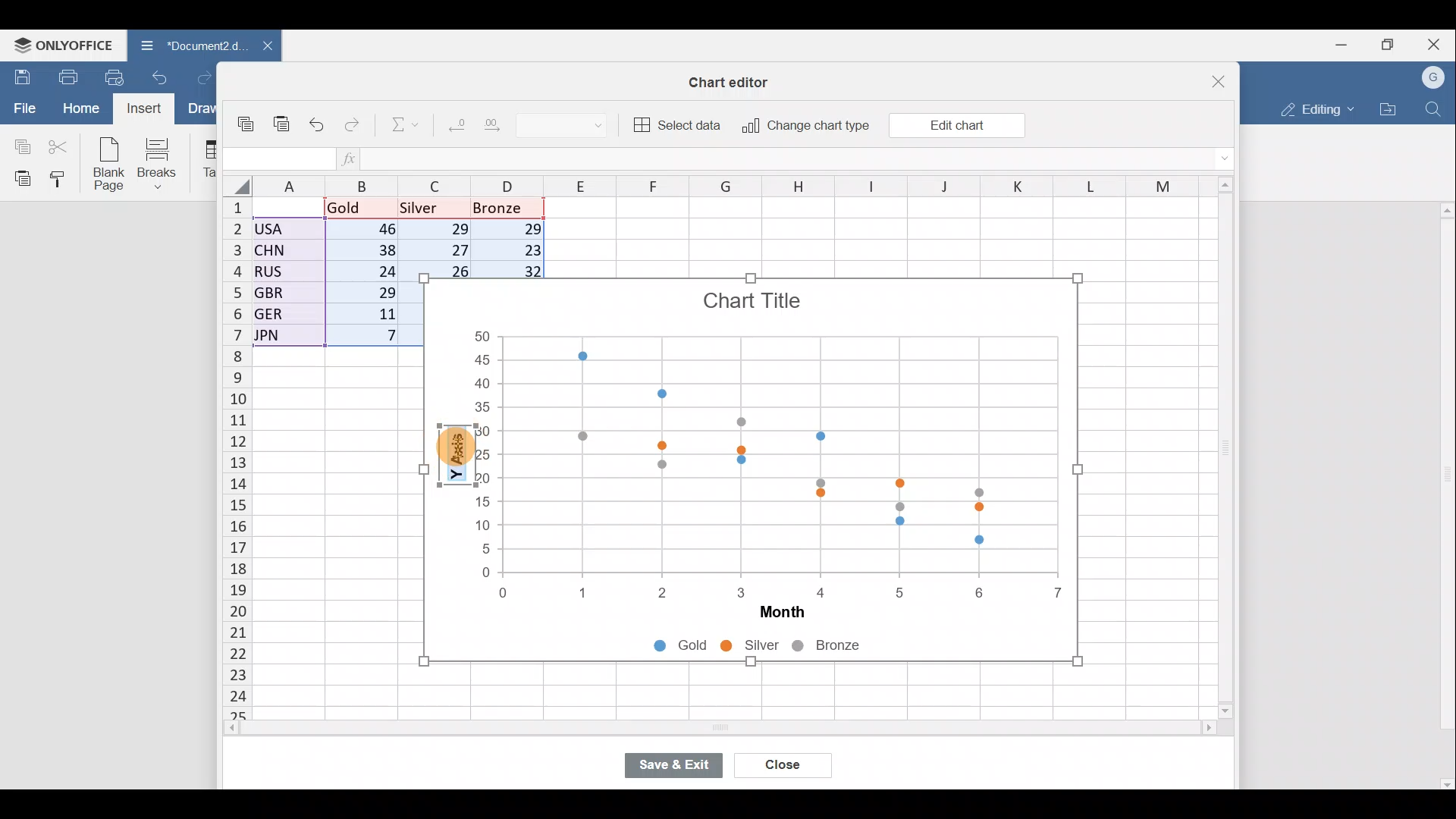 This screenshot has width=1456, height=819. I want to click on Copy, so click(19, 145).